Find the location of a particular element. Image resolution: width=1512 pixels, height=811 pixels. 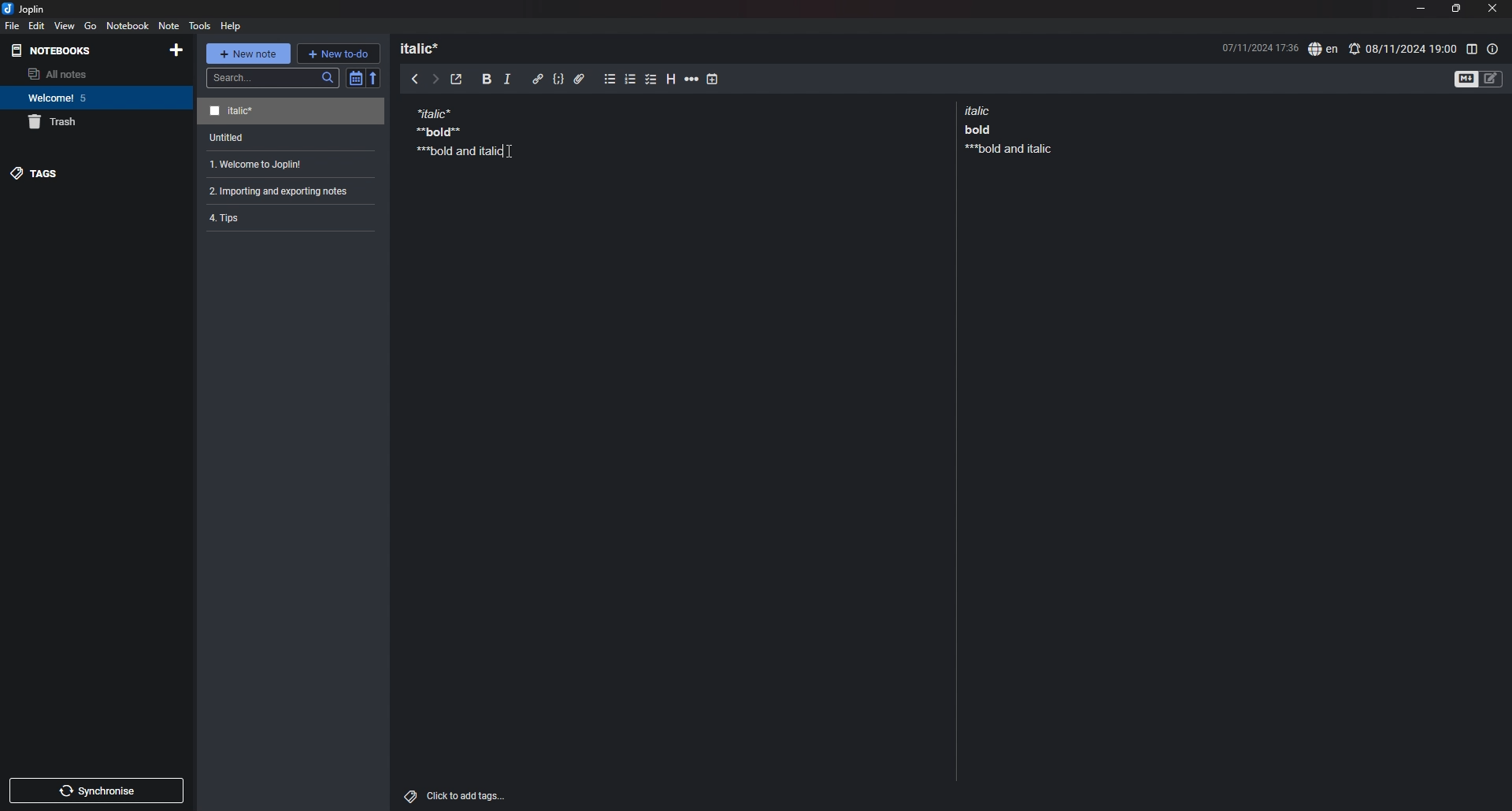

note is located at coordinates (168, 25).